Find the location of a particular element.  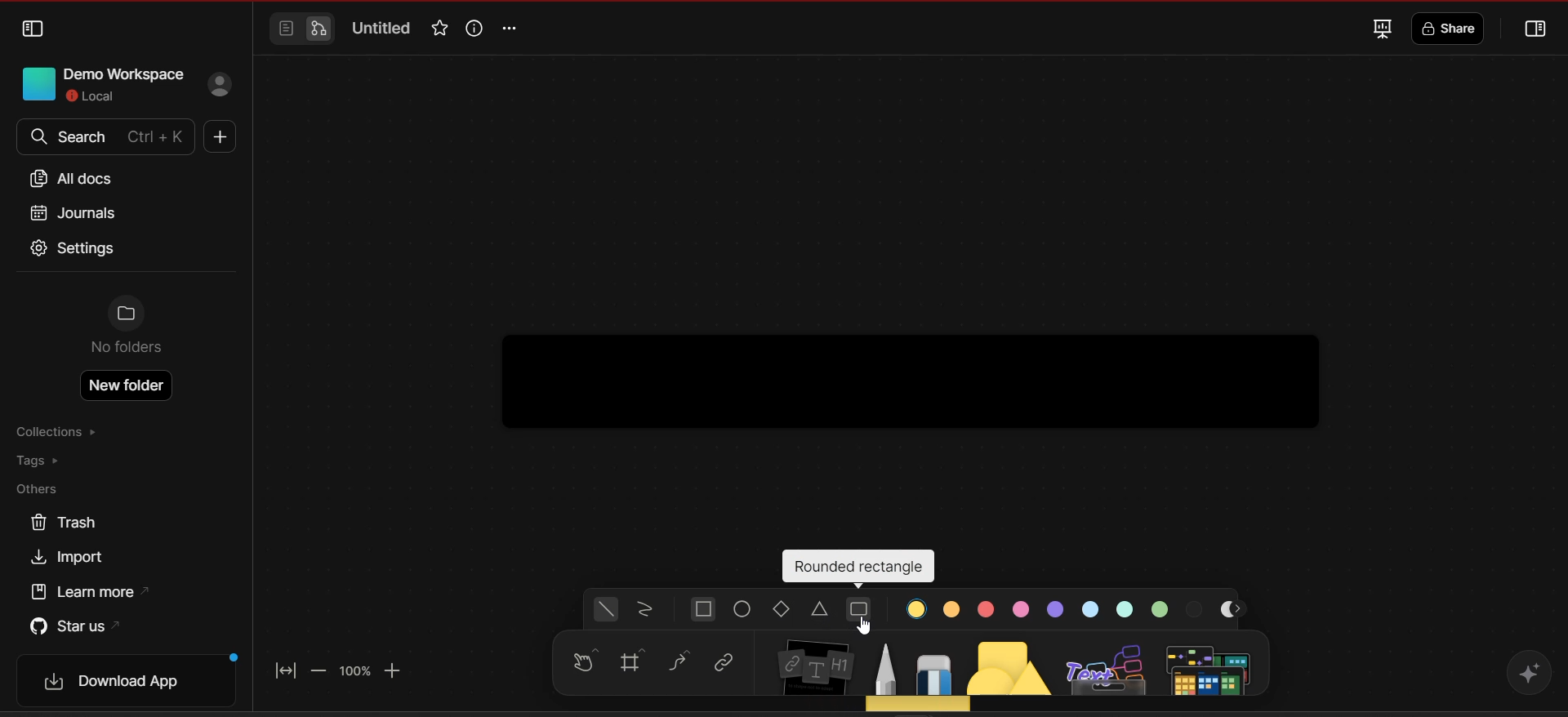

triangle is located at coordinates (822, 611).